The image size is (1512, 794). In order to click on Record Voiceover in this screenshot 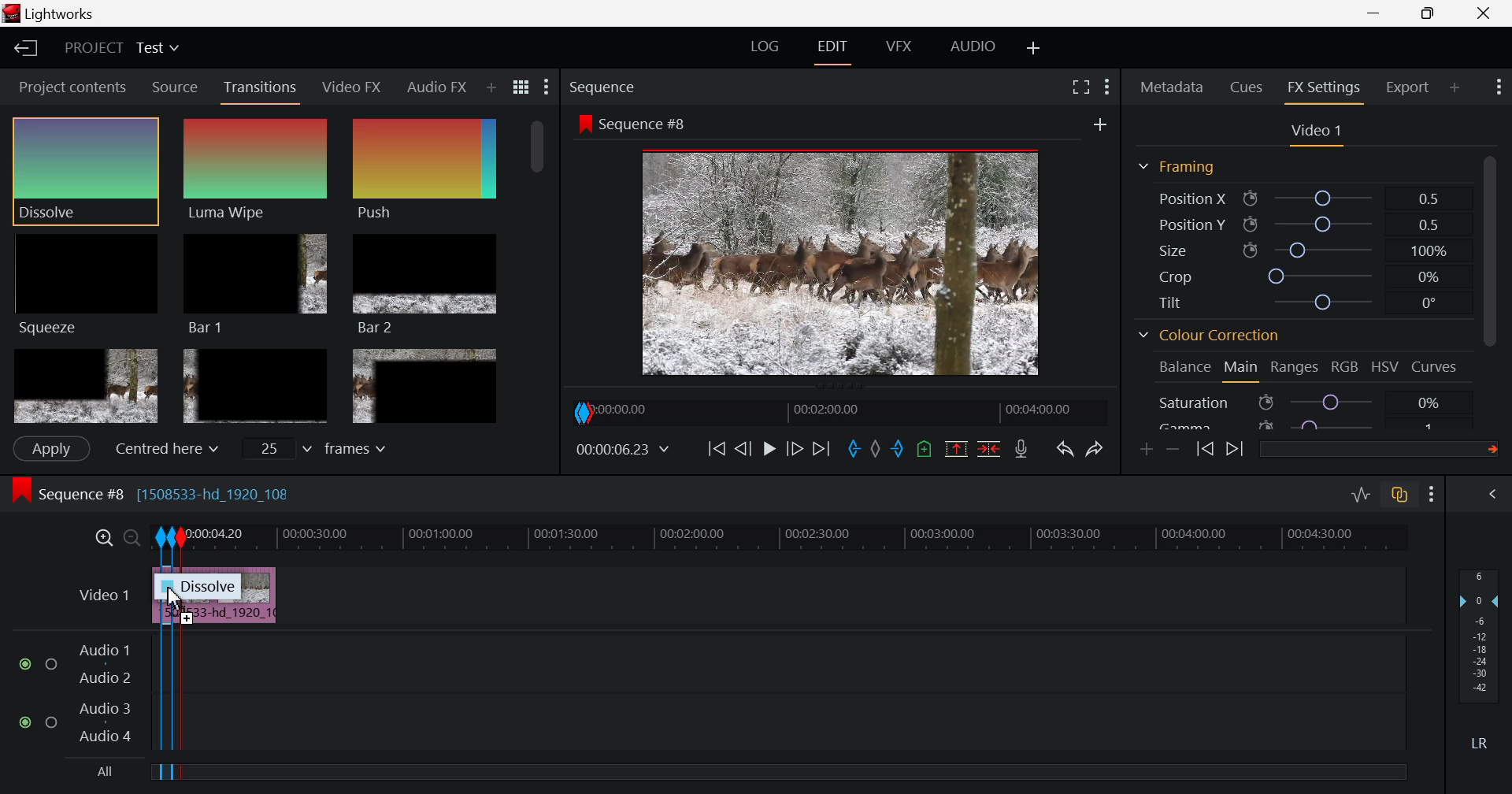, I will do `click(1021, 449)`.